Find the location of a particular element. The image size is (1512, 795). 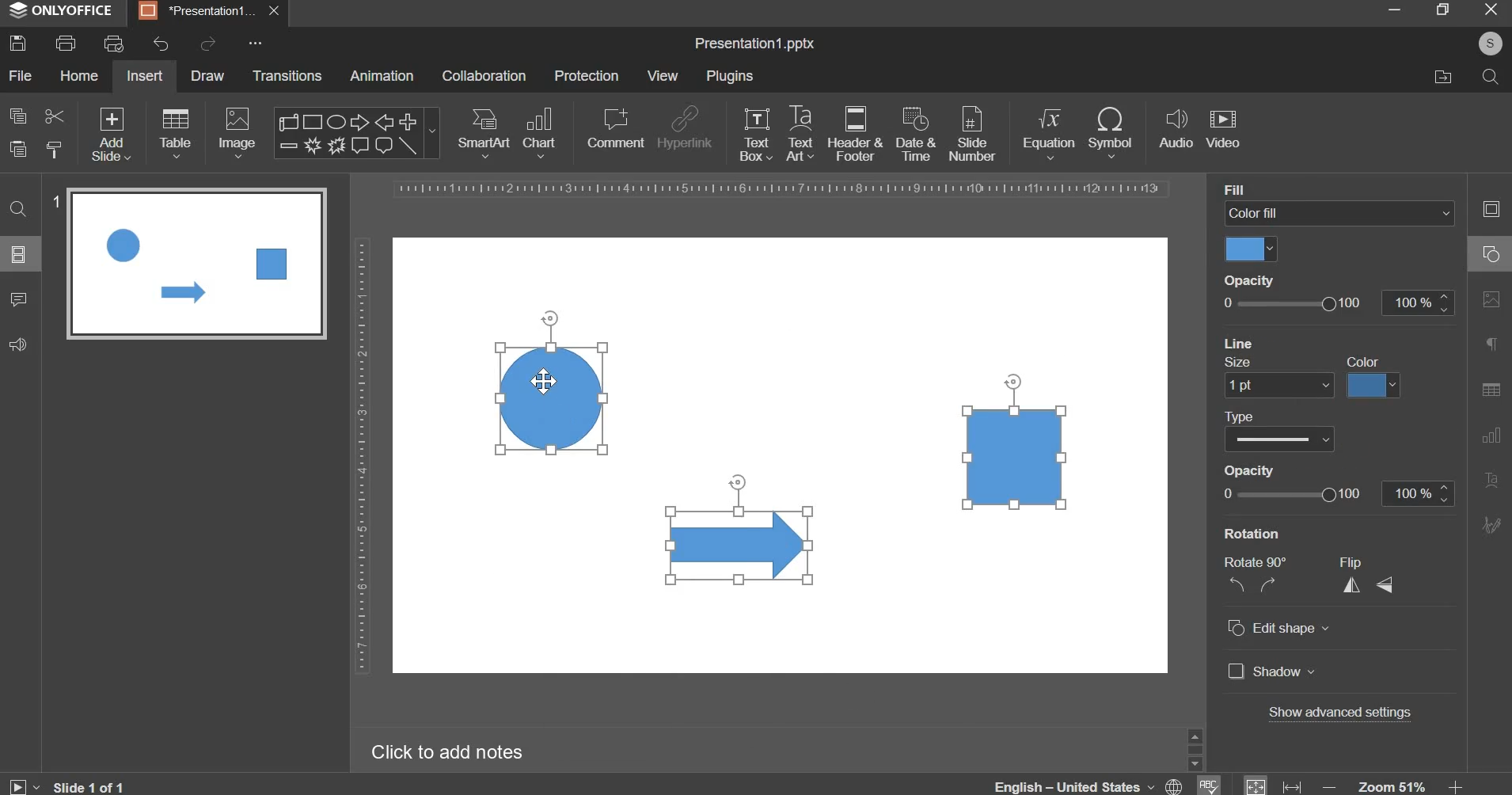

line size is located at coordinates (1278, 384).